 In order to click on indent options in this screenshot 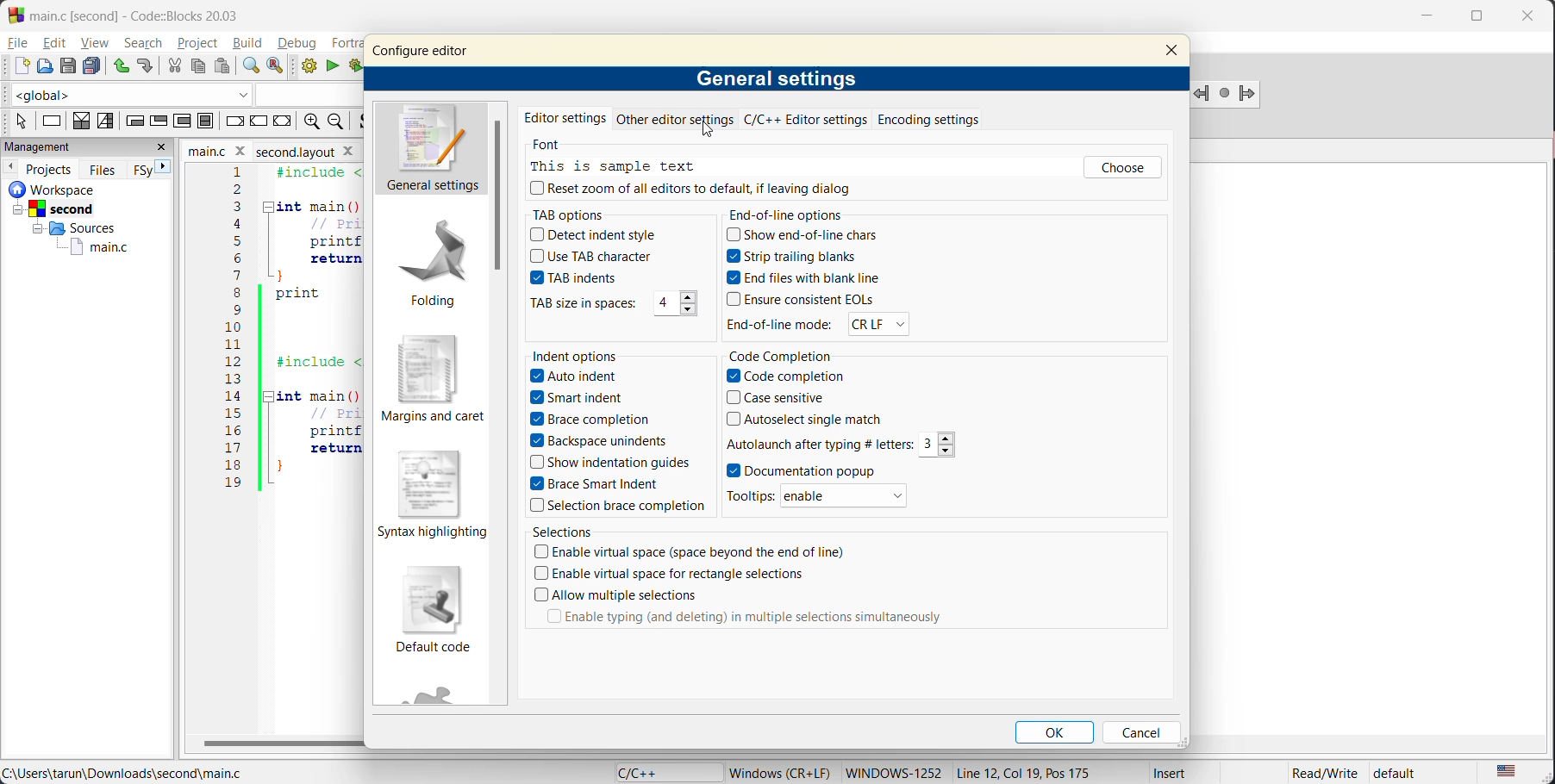, I will do `click(620, 356)`.